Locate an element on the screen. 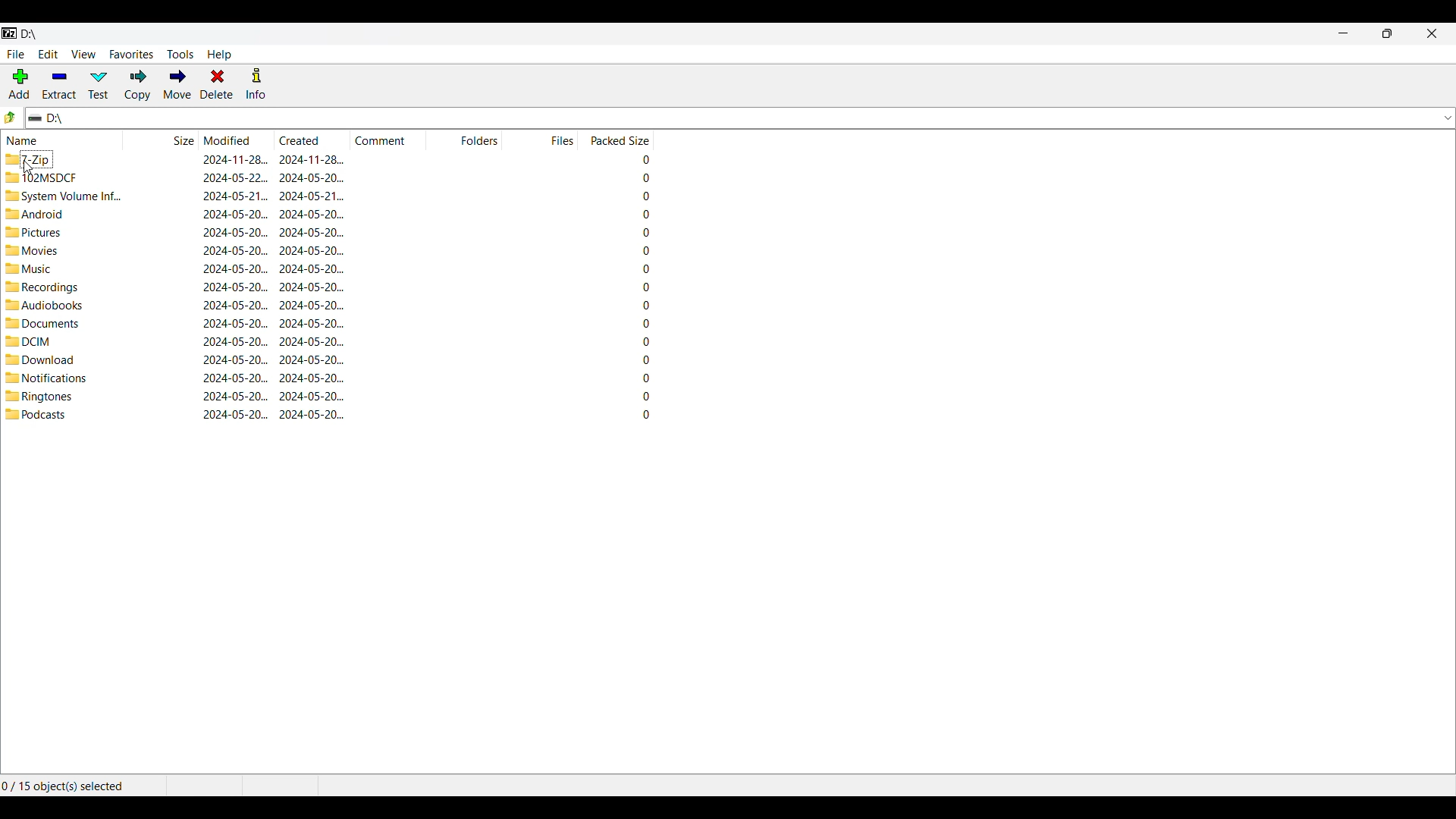 The width and height of the screenshot is (1456, 819). modified date & time is located at coordinates (236, 360).